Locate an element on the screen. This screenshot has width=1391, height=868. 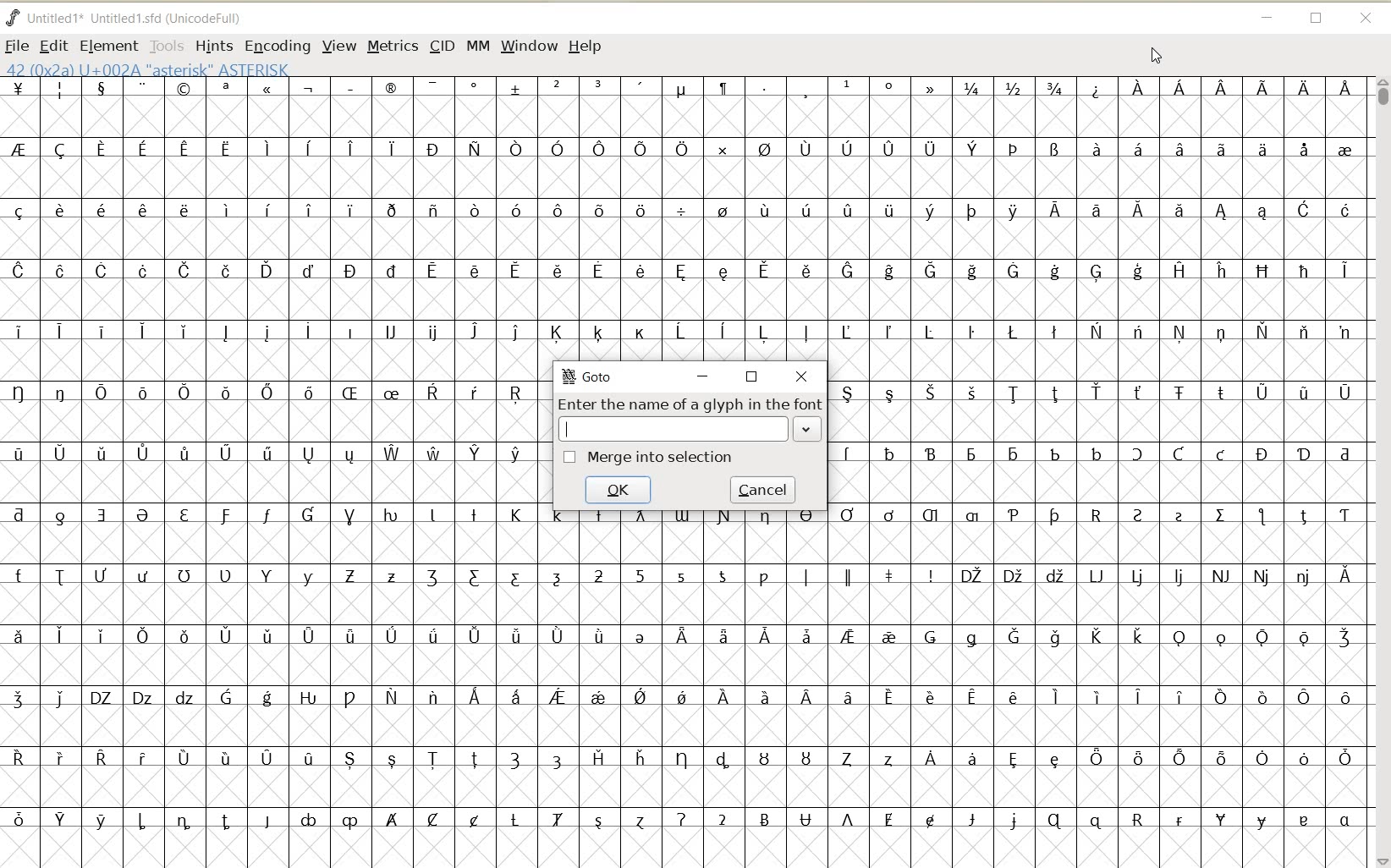
GLYPHY CHARACTERS & NUMBERS is located at coordinates (686, 688).